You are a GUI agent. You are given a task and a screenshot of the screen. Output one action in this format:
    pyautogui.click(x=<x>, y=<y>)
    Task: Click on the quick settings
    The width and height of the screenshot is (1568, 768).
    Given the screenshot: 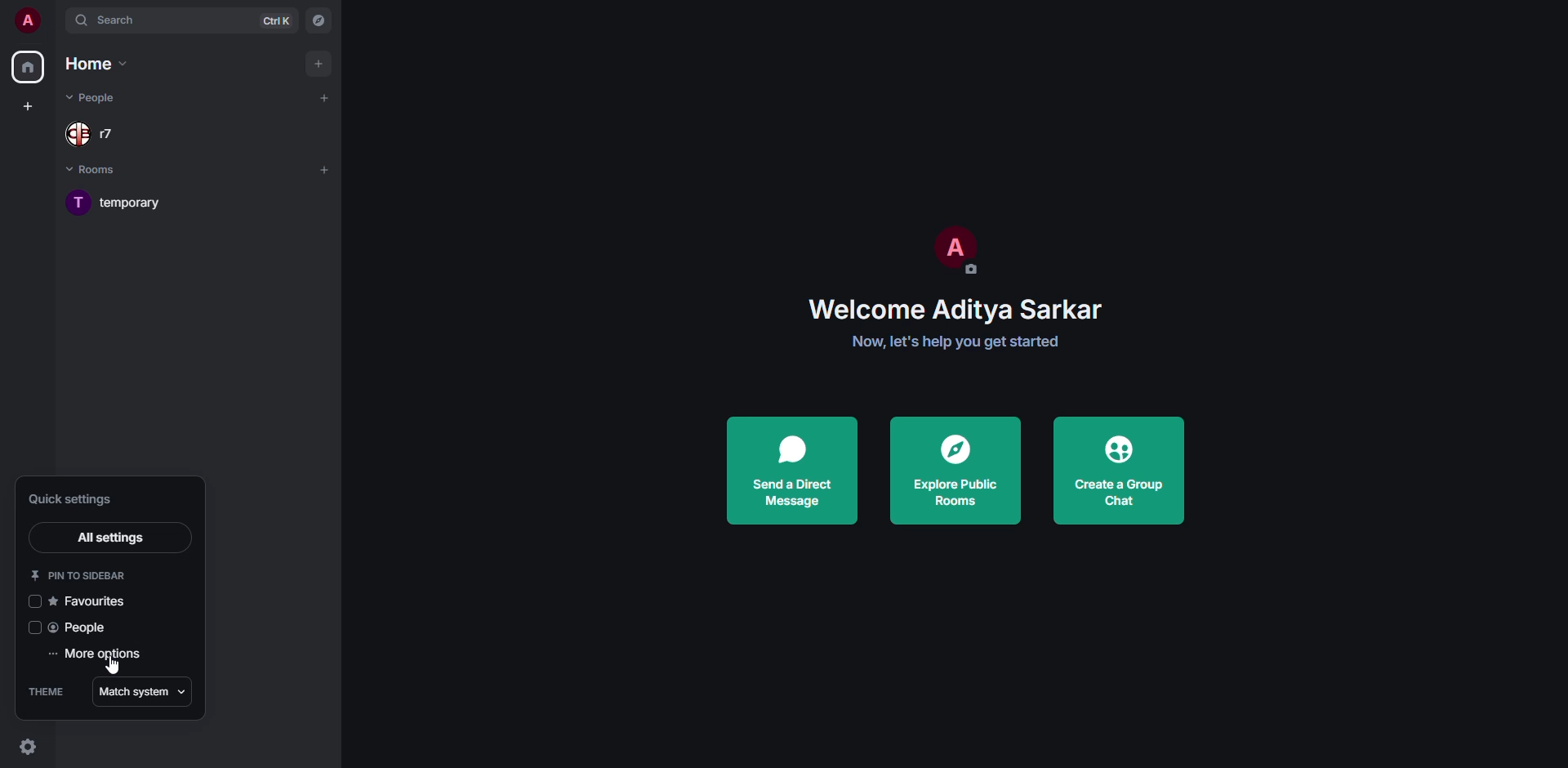 What is the action you would take?
    pyautogui.click(x=72, y=498)
    